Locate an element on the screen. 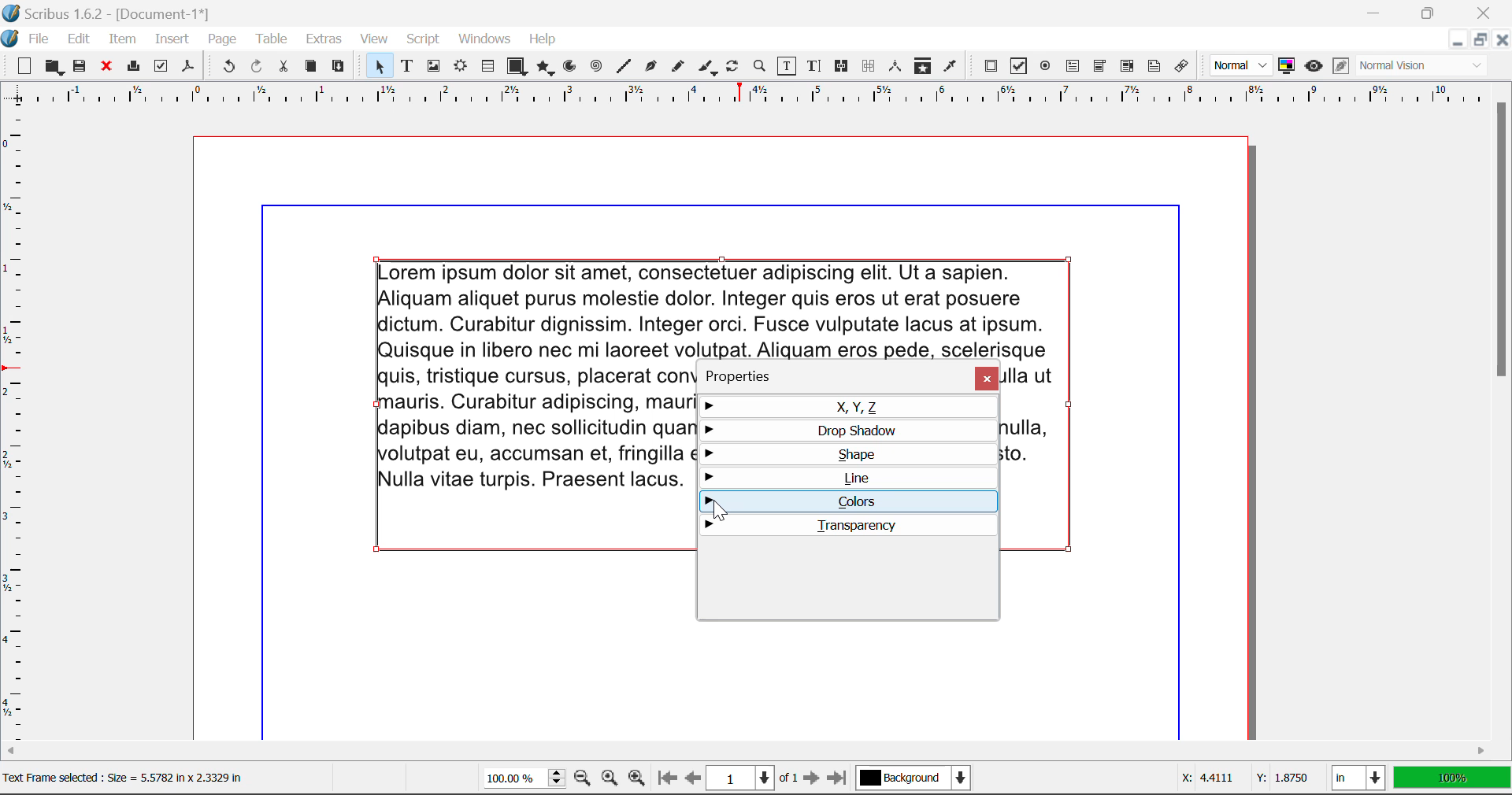 This screenshot has height=795, width=1512. Link Frames is located at coordinates (844, 66).